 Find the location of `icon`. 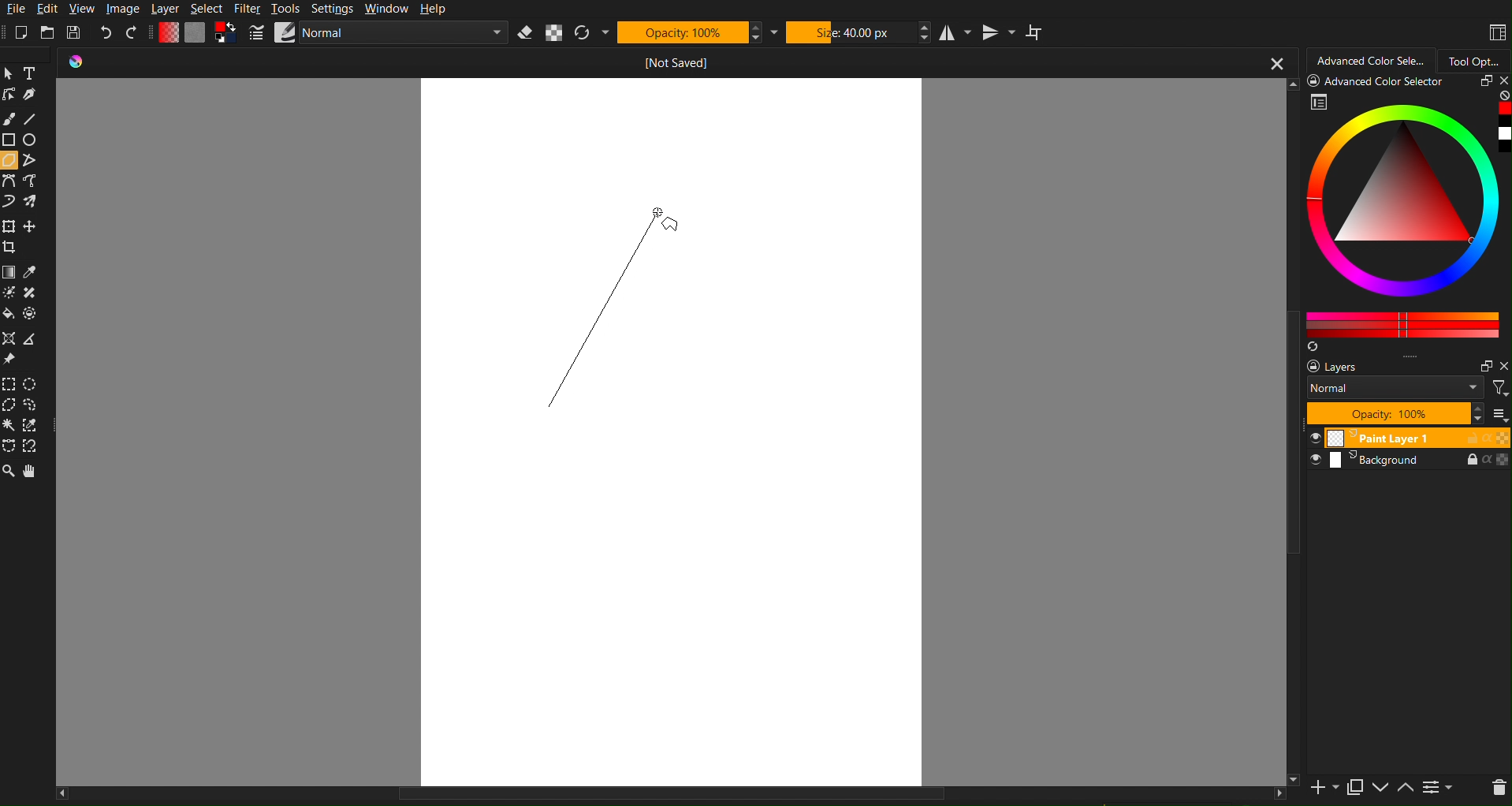

icon is located at coordinates (83, 63).